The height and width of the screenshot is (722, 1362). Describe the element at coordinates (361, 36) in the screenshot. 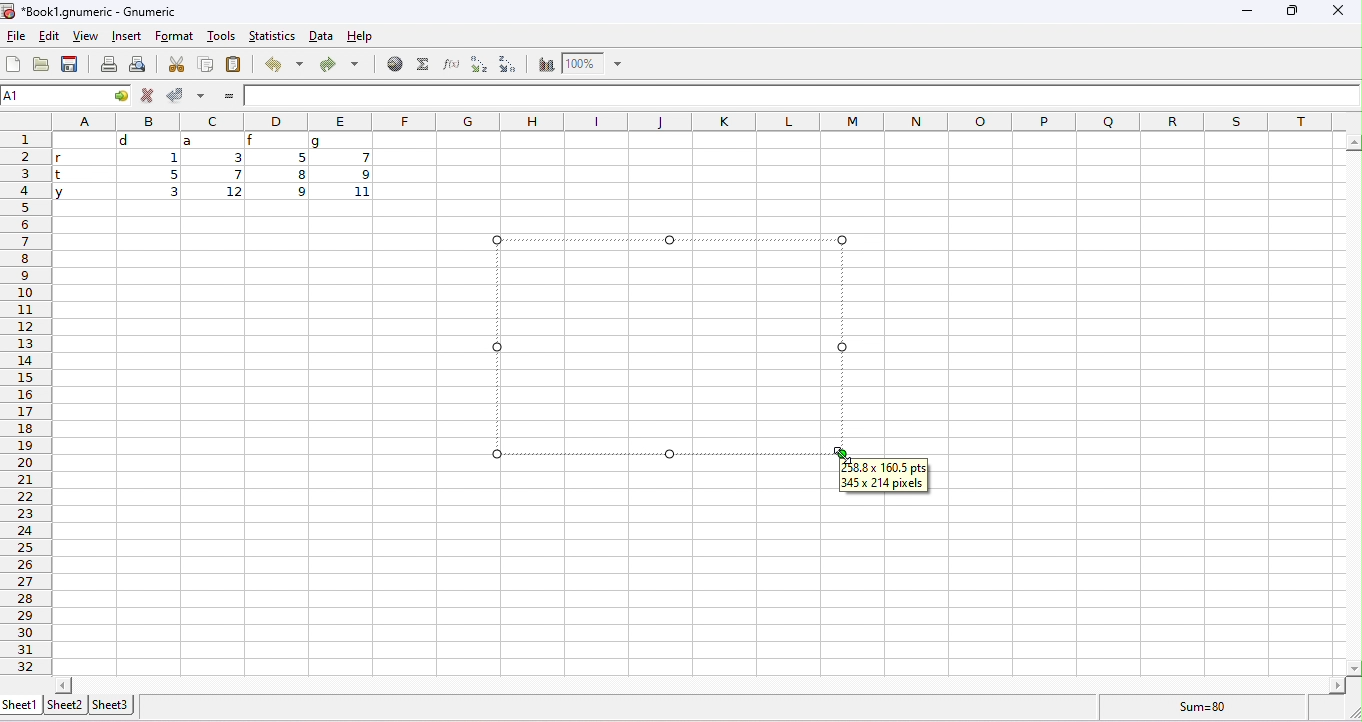

I see `help` at that location.